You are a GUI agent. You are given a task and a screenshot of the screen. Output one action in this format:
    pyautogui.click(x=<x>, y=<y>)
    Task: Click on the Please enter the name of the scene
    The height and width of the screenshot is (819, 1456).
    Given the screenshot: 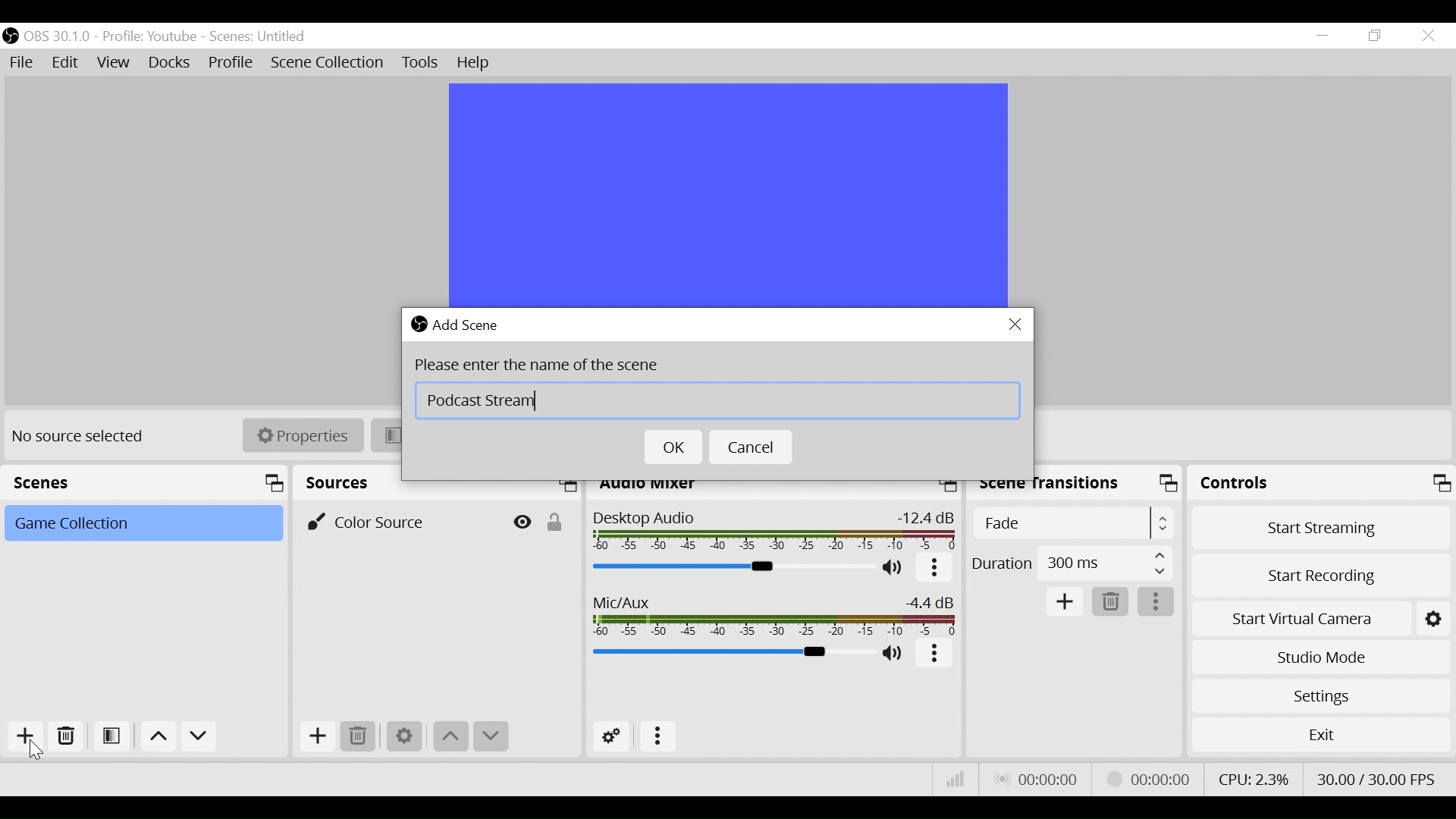 What is the action you would take?
    pyautogui.click(x=536, y=365)
    